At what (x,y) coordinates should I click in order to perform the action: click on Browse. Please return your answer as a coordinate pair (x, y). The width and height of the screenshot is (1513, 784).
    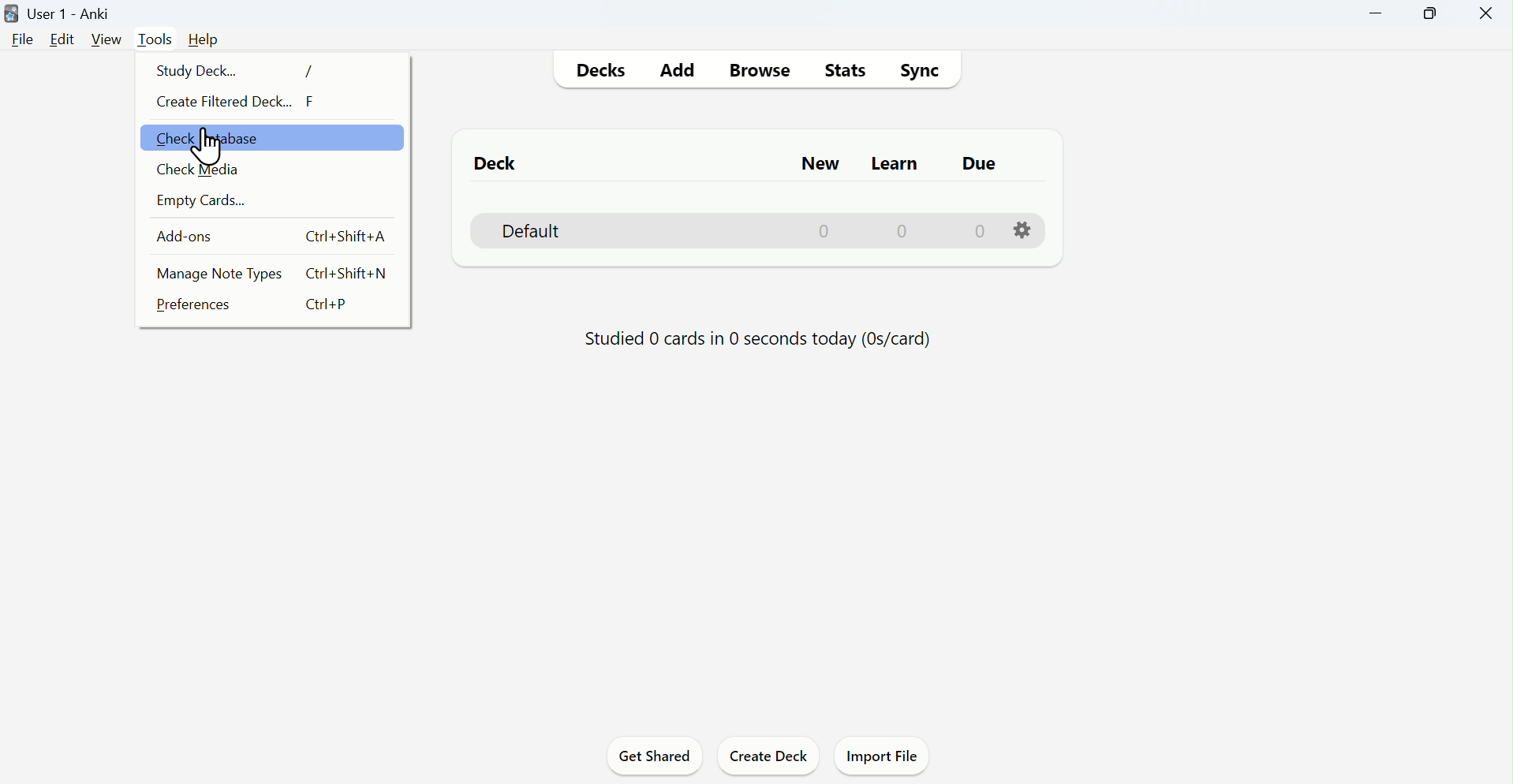
    Looking at the image, I should click on (764, 73).